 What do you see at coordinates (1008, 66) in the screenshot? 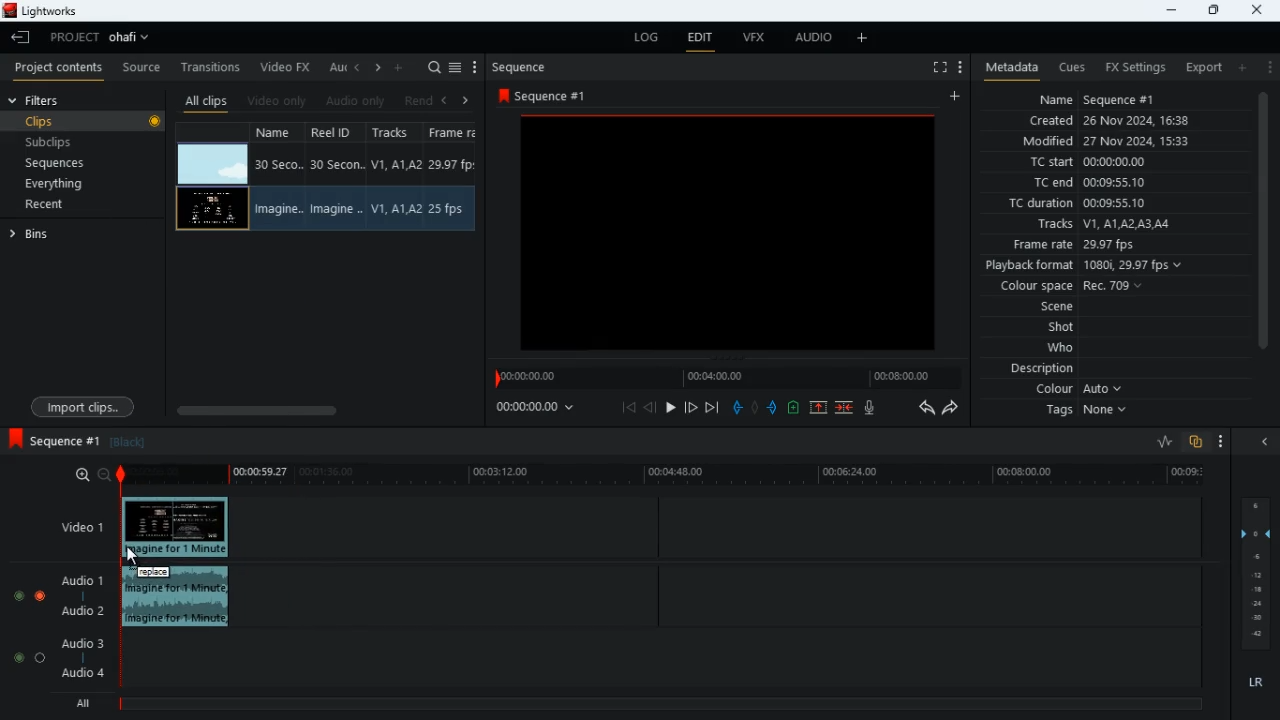
I see `metadata` at bounding box center [1008, 66].